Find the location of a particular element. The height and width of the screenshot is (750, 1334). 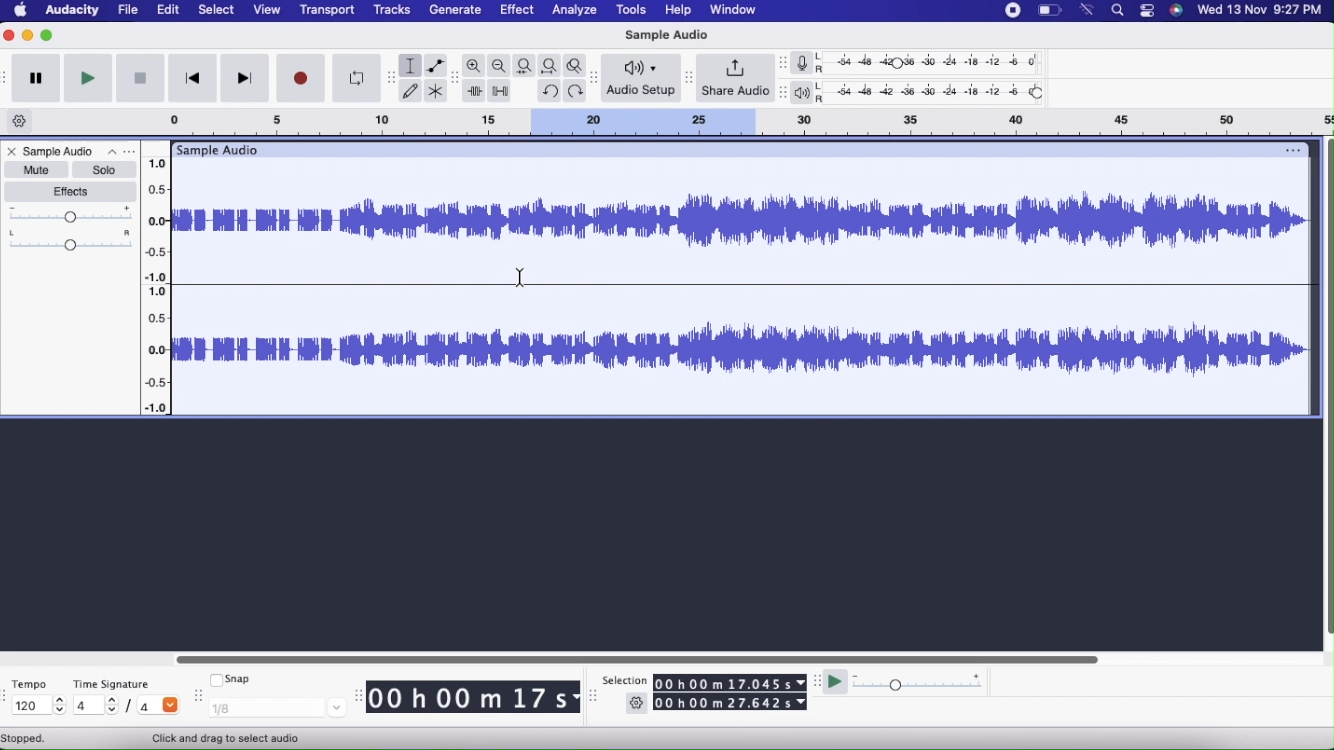

network is located at coordinates (1087, 9).